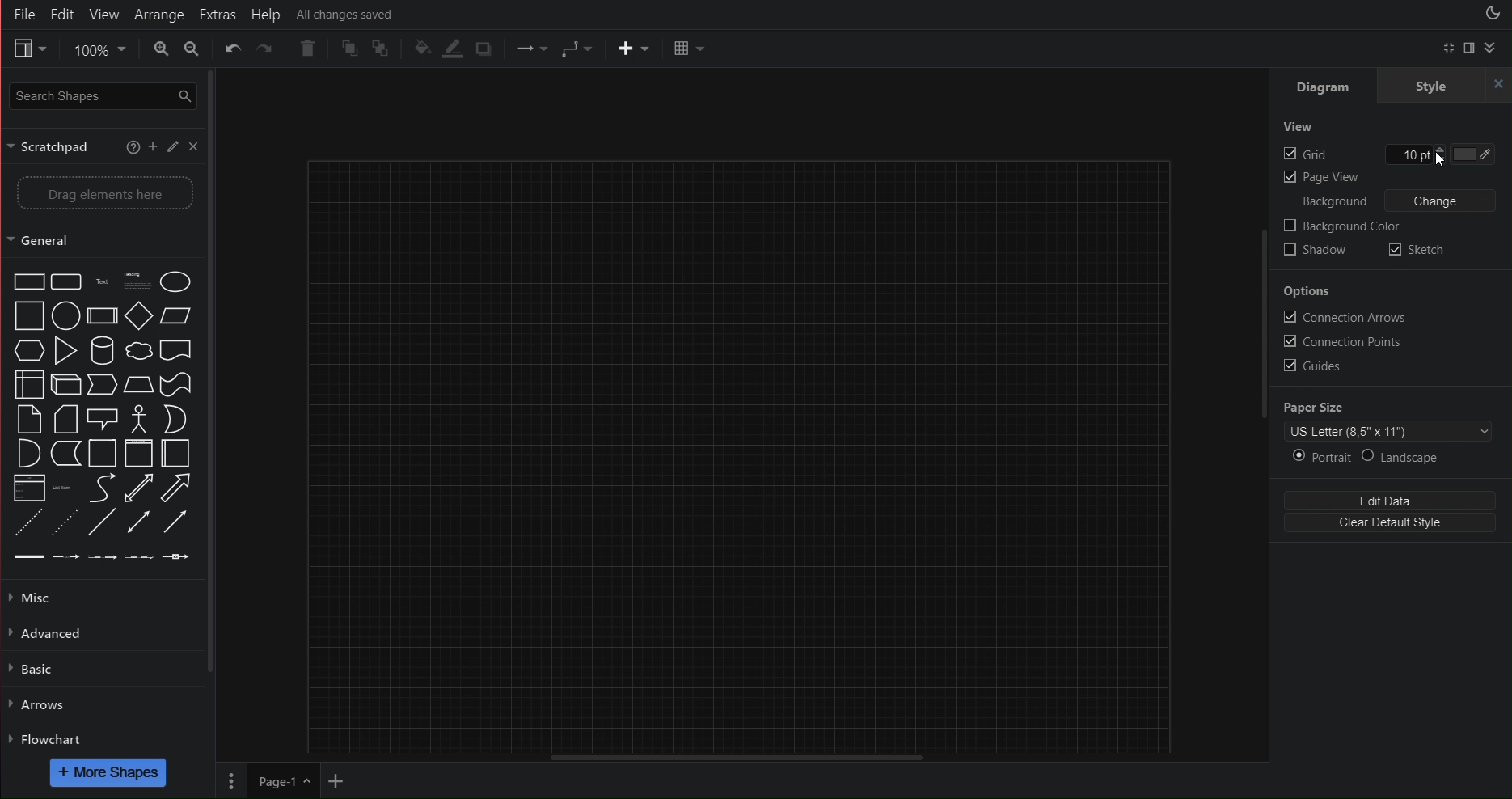 The image size is (1512, 799). What do you see at coordinates (101, 193) in the screenshot?
I see `Drag elements here` at bounding box center [101, 193].